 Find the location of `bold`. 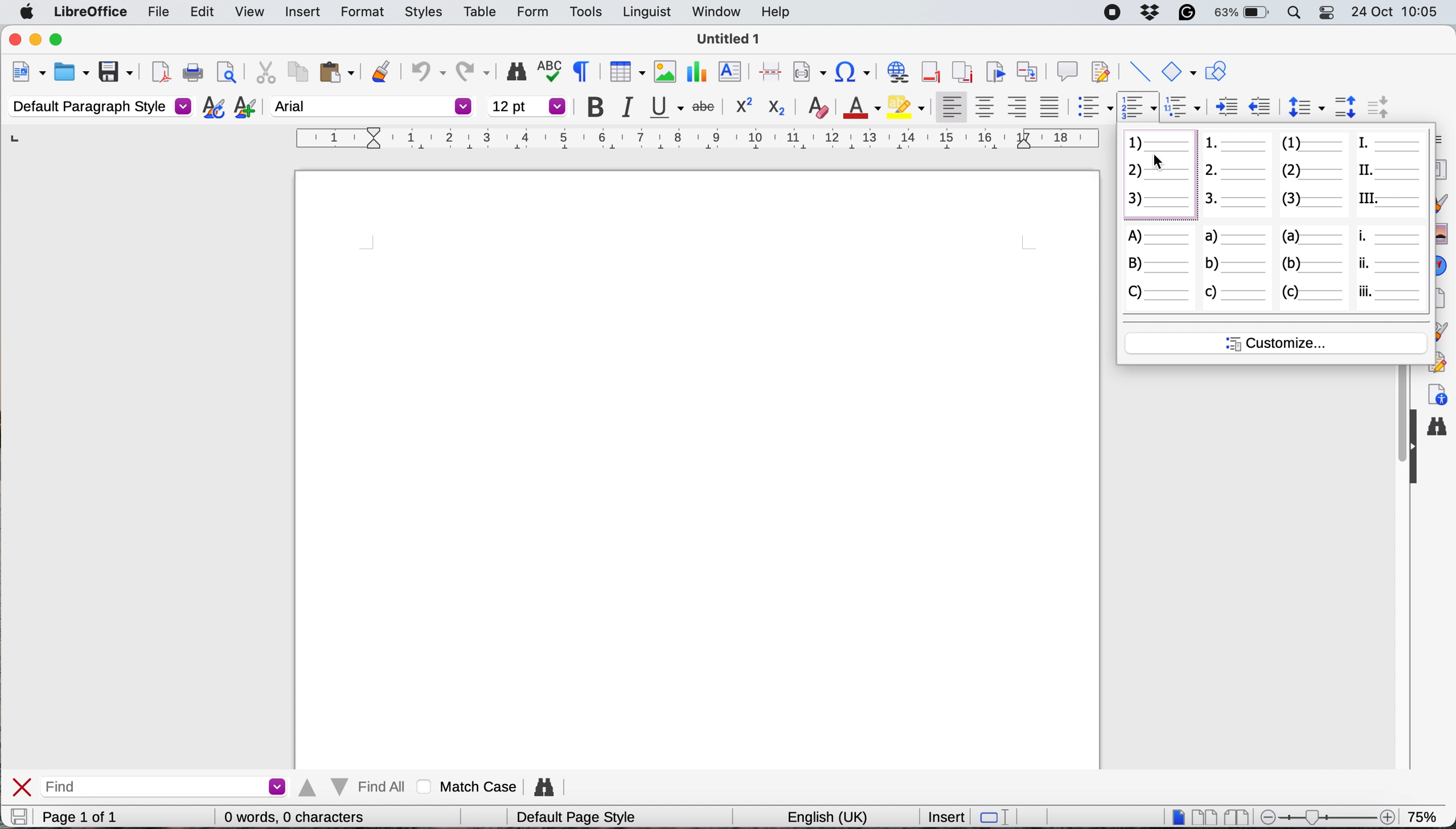

bold is located at coordinates (600, 108).